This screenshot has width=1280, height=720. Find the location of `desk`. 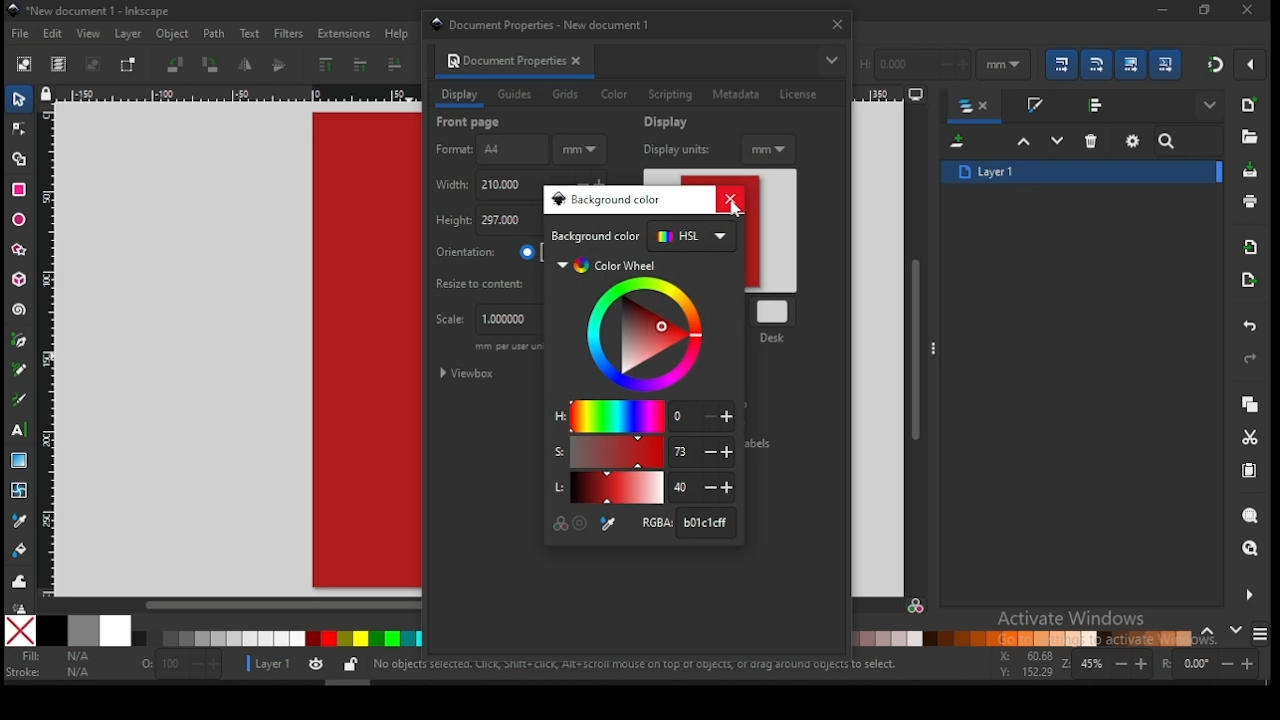

desk is located at coordinates (775, 319).